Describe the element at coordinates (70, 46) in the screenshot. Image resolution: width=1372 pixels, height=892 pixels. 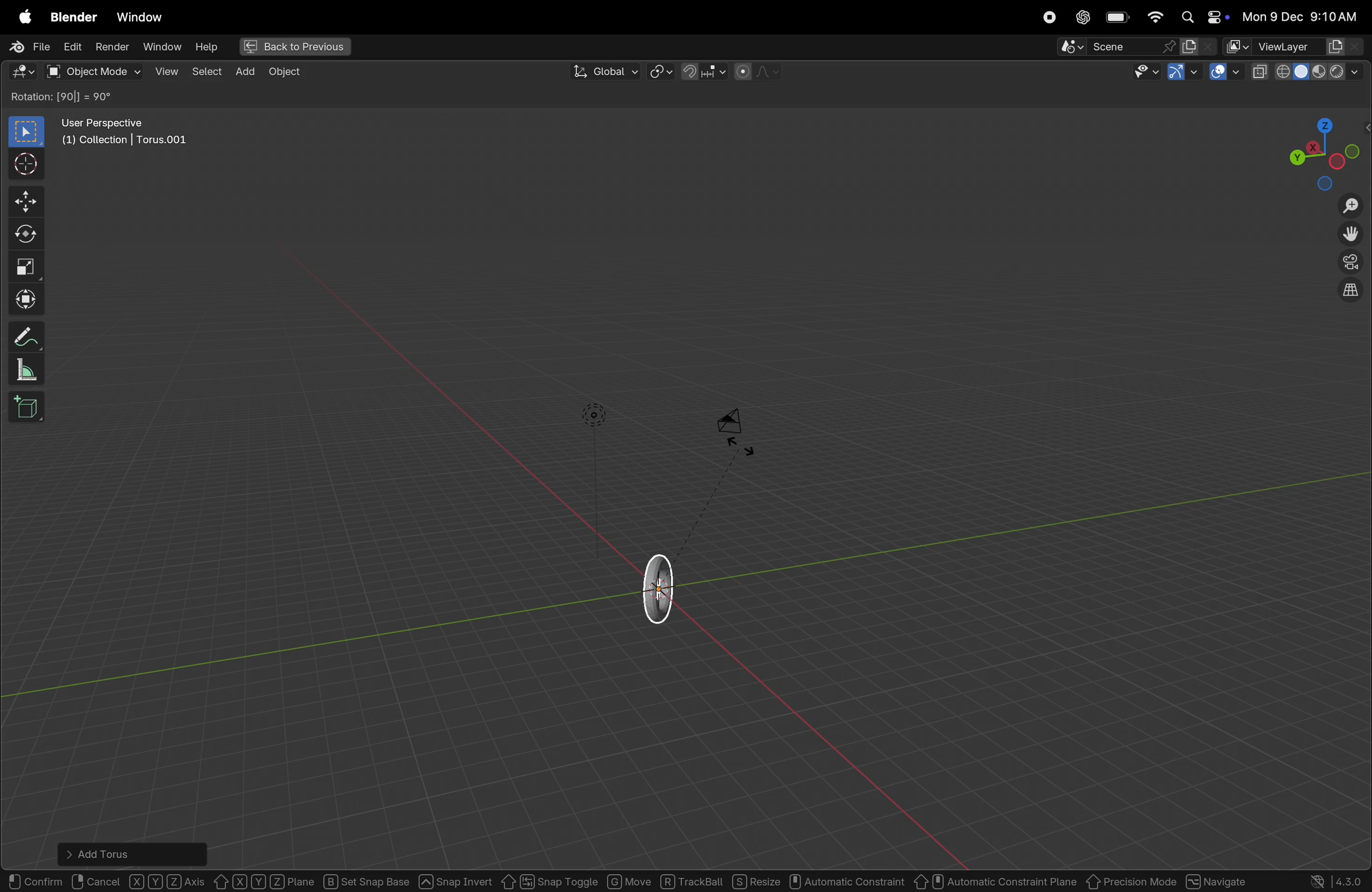
I see `edit` at that location.